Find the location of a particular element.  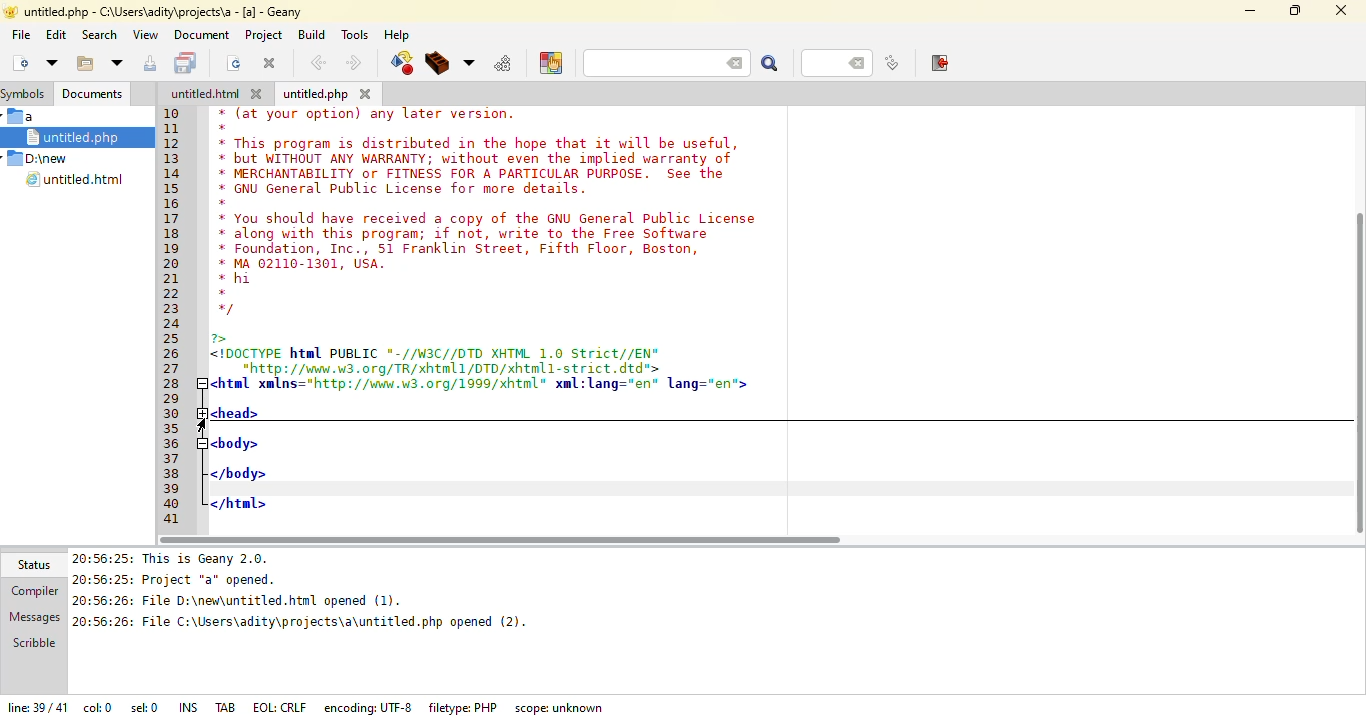

choose more is located at coordinates (469, 64).